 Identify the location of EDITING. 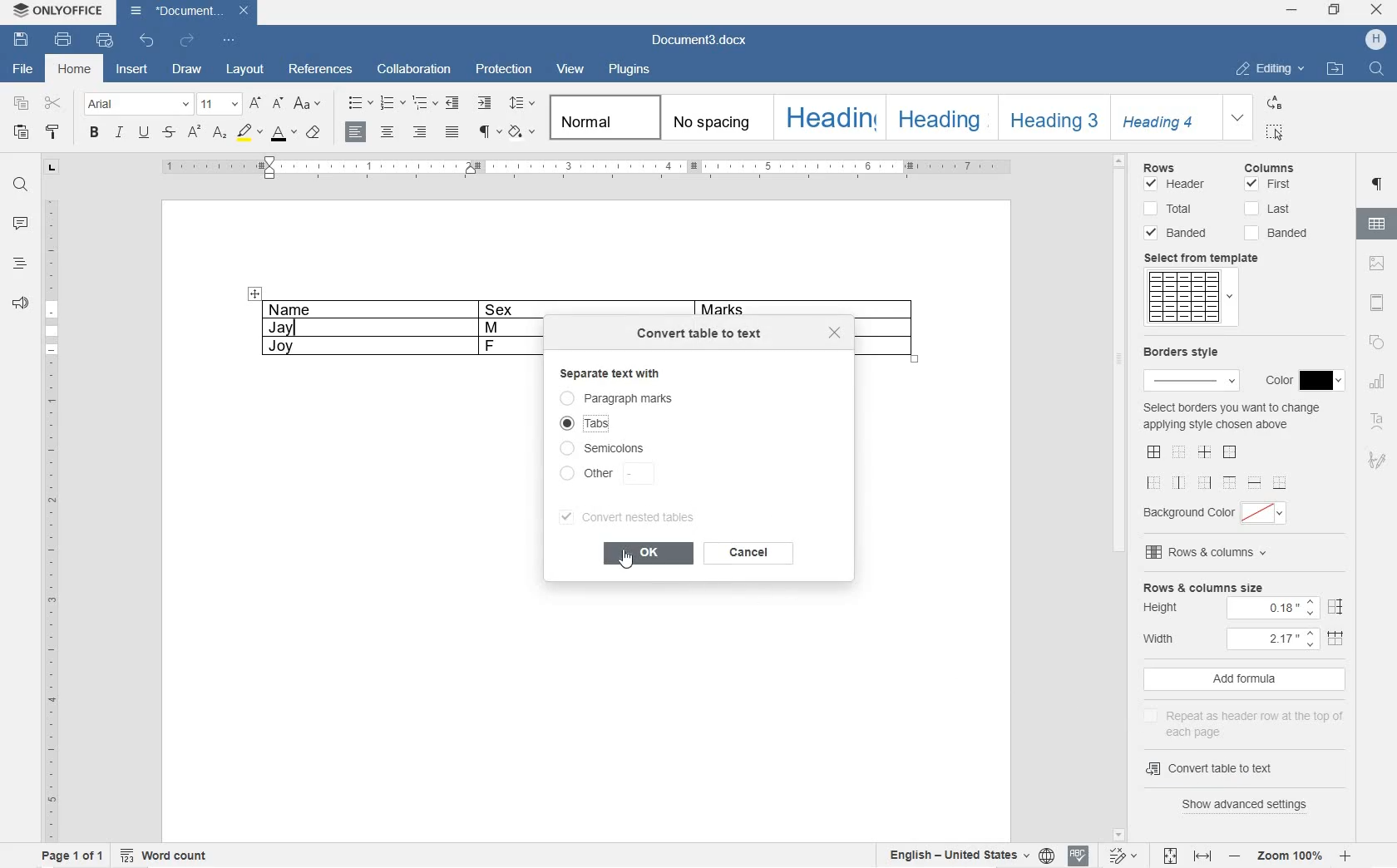
(1271, 65).